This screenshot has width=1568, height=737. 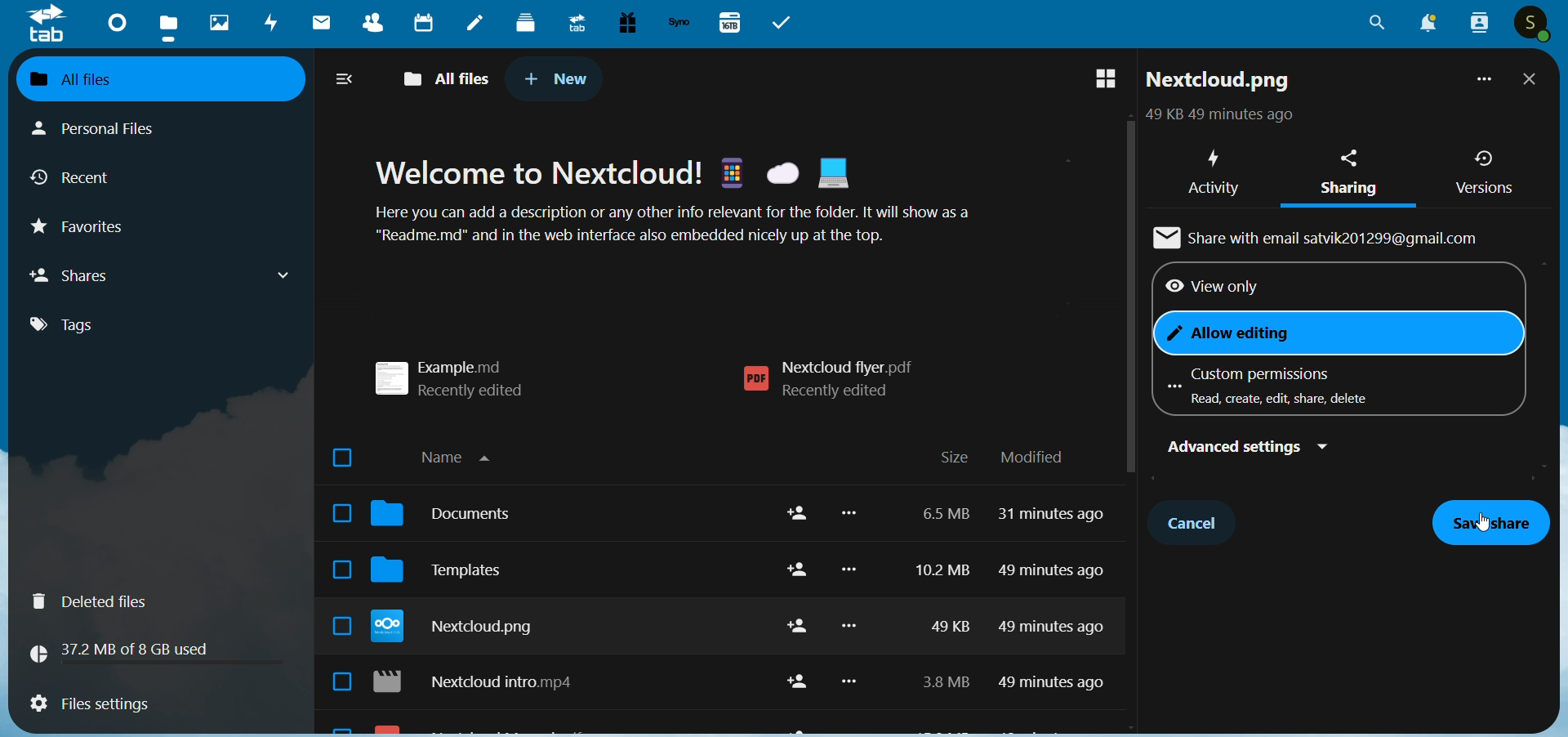 What do you see at coordinates (954, 458) in the screenshot?
I see `size` at bounding box center [954, 458].